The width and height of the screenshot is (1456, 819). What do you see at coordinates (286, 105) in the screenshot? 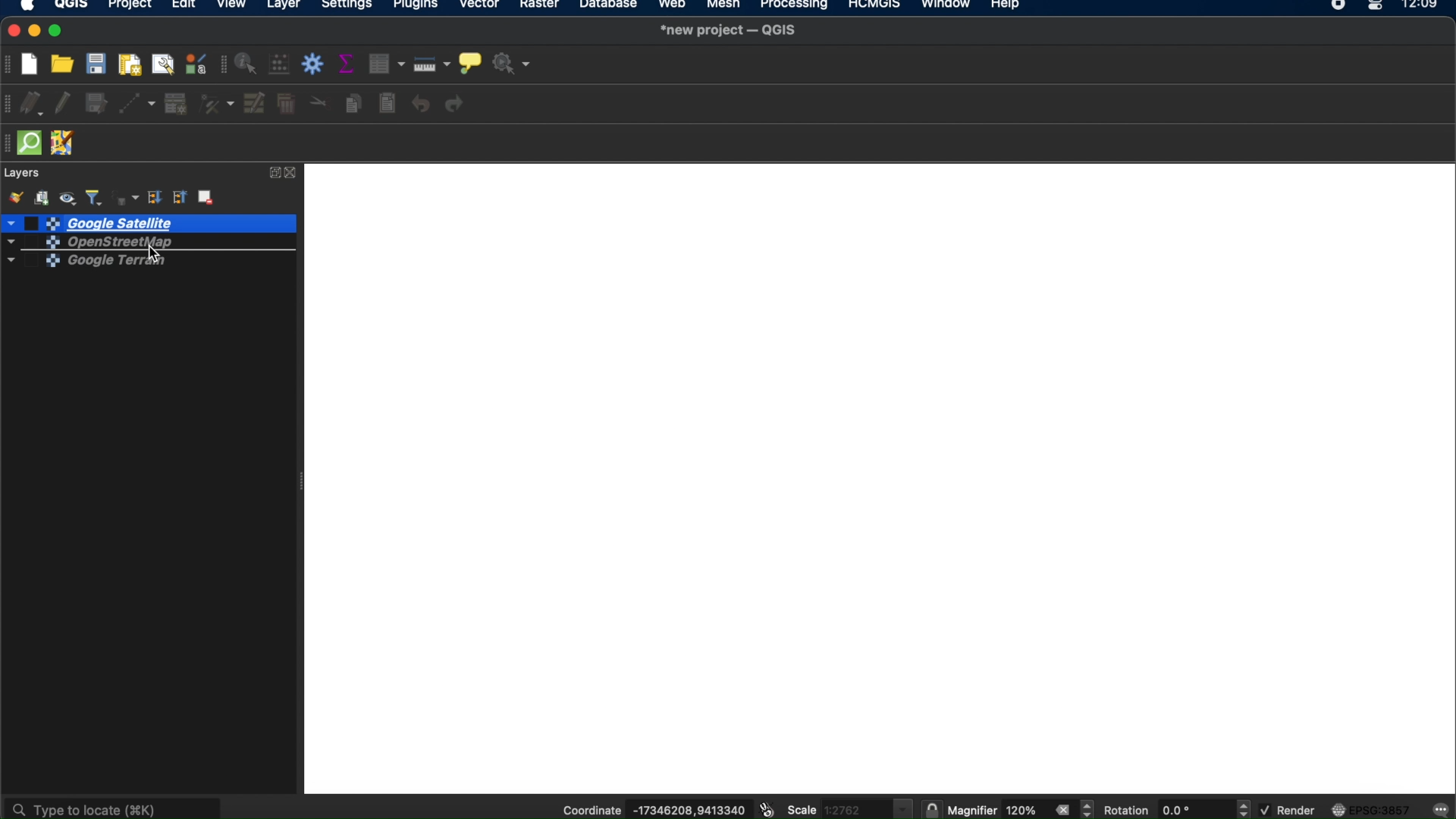
I see `delete selected` at bounding box center [286, 105].